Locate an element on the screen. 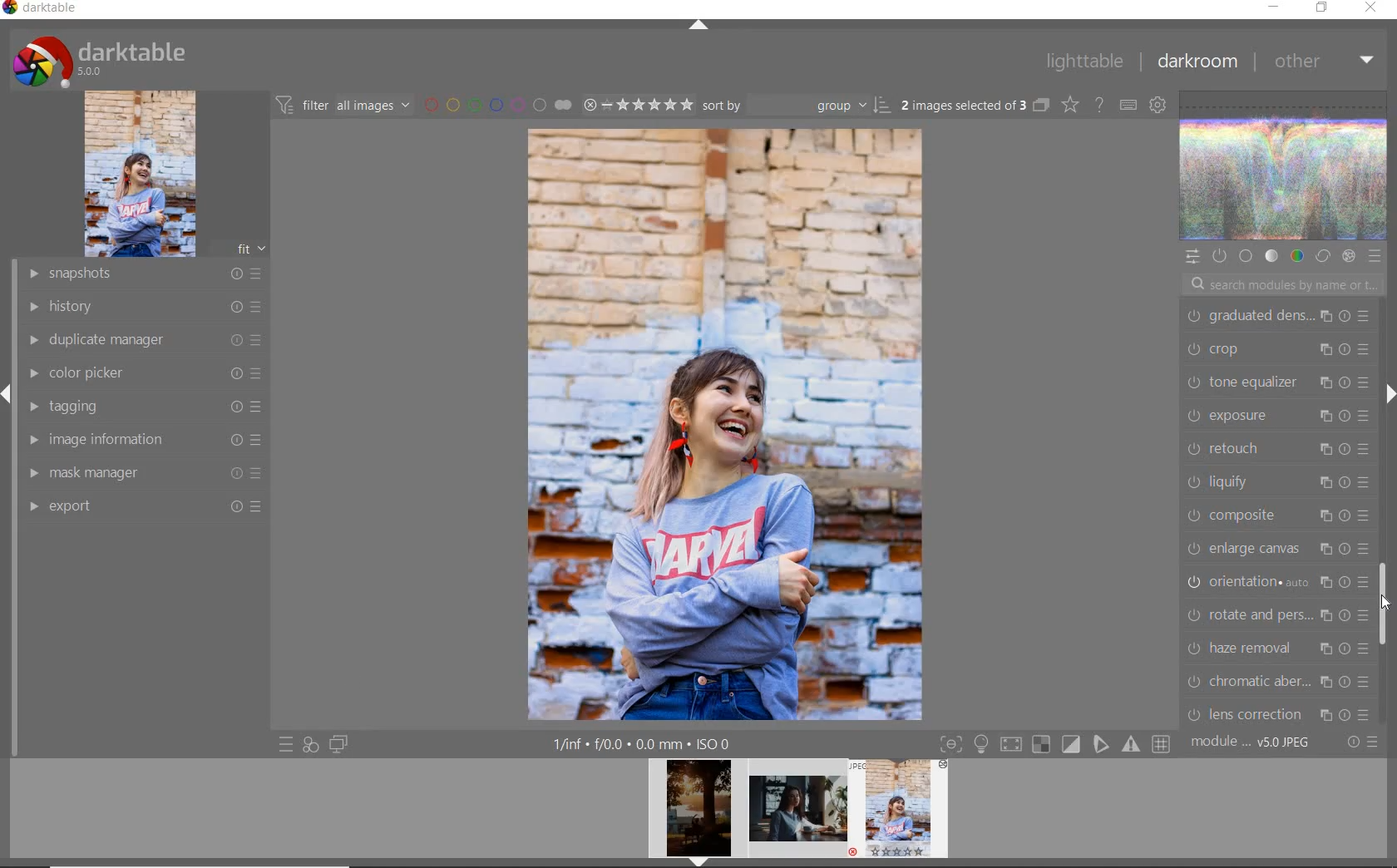 The width and height of the screenshot is (1397, 868). system logo and name is located at coordinates (102, 59).